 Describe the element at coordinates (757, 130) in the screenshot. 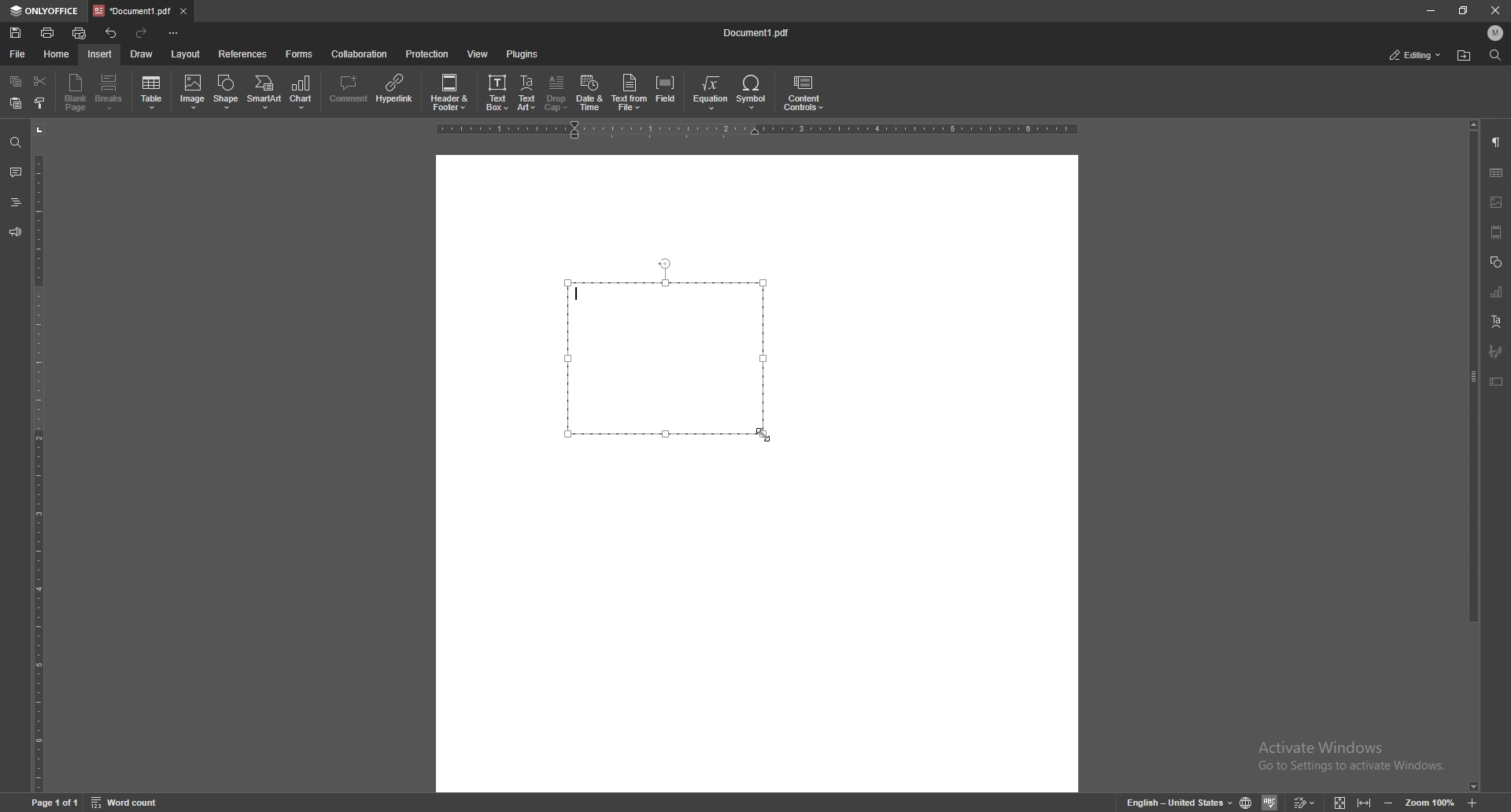

I see `horizontal scale` at that location.